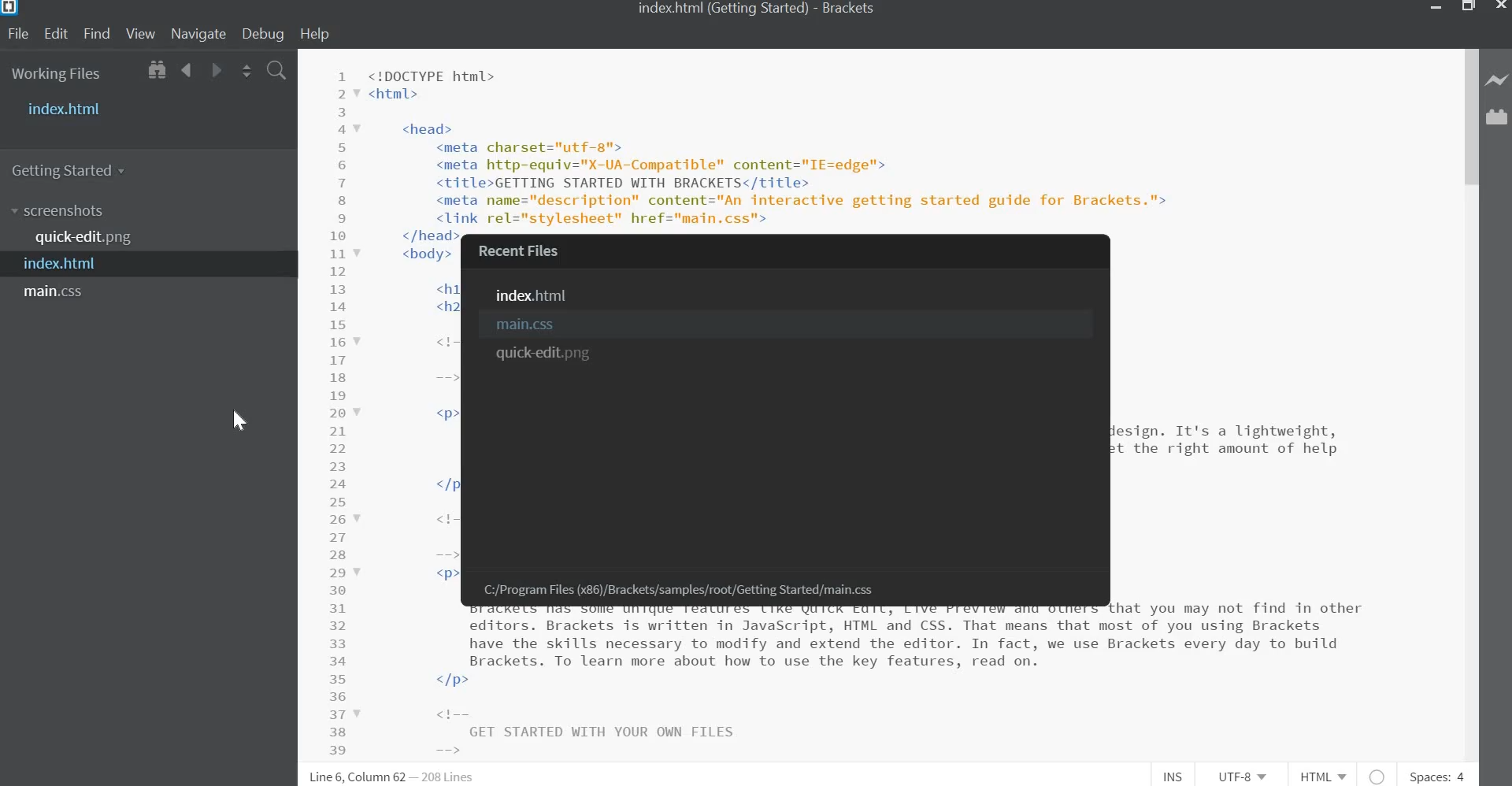  Describe the element at coordinates (450, 777) in the screenshot. I see `lines` at that location.